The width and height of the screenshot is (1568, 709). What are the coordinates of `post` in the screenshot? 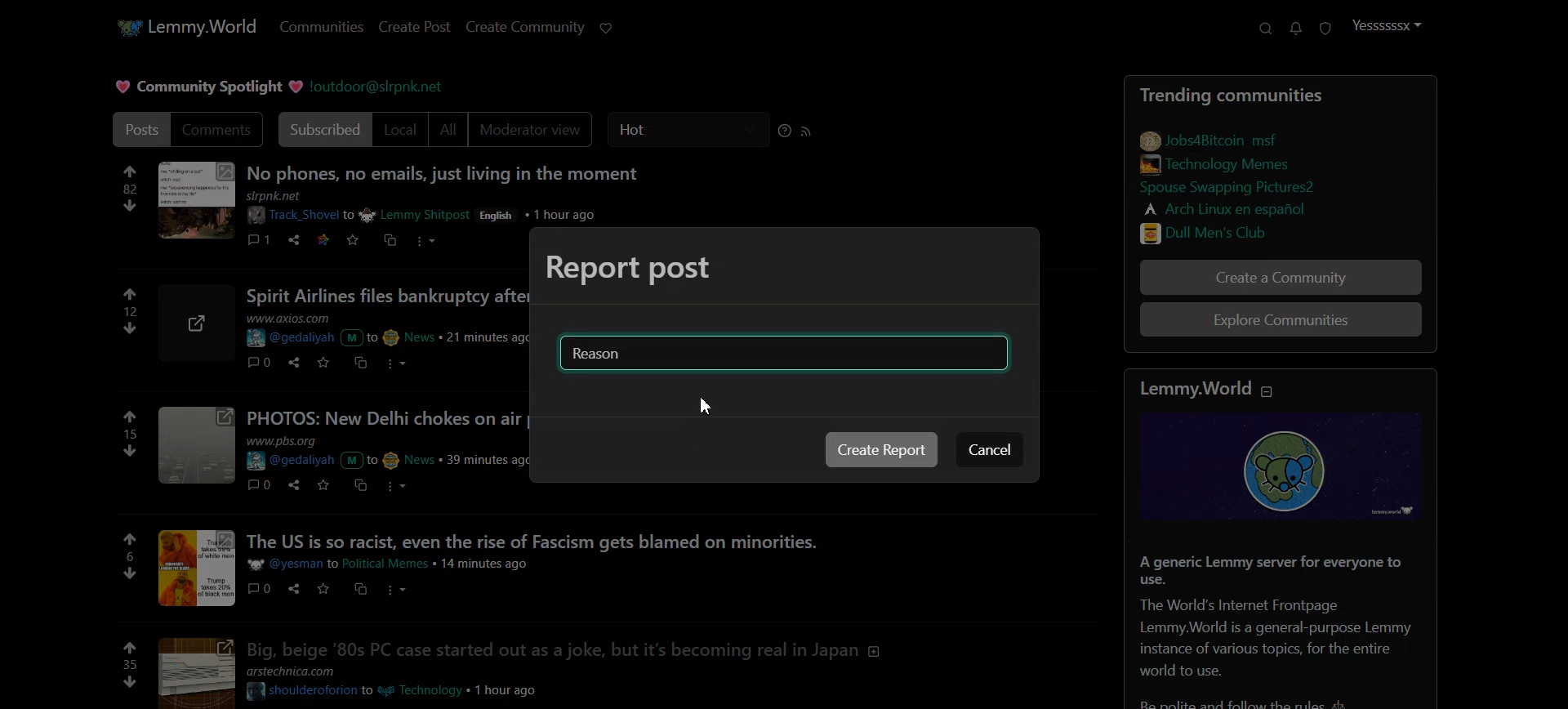 It's located at (575, 537).